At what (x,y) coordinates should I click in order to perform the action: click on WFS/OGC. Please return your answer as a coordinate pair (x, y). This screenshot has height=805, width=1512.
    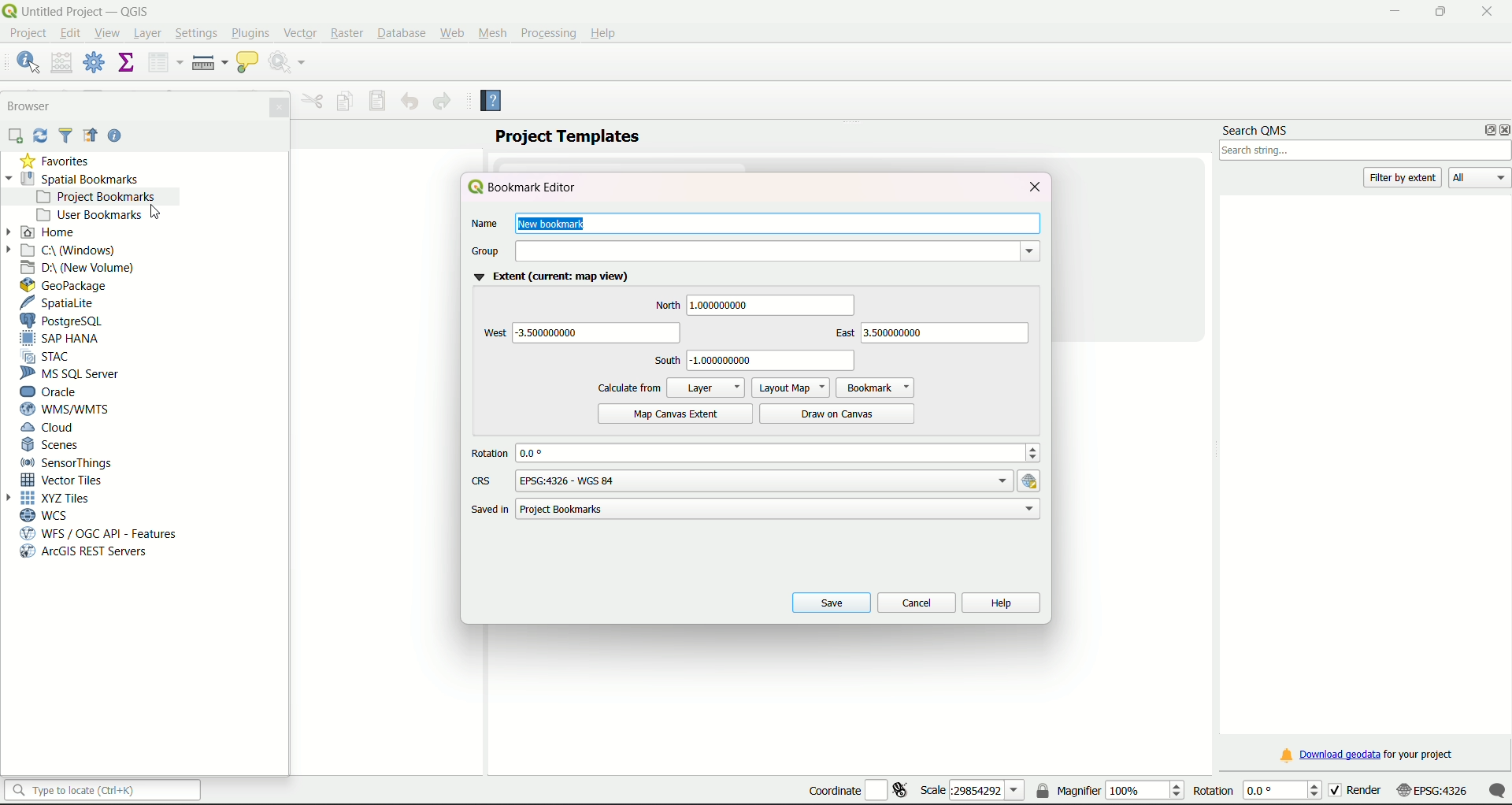
    Looking at the image, I should click on (104, 533).